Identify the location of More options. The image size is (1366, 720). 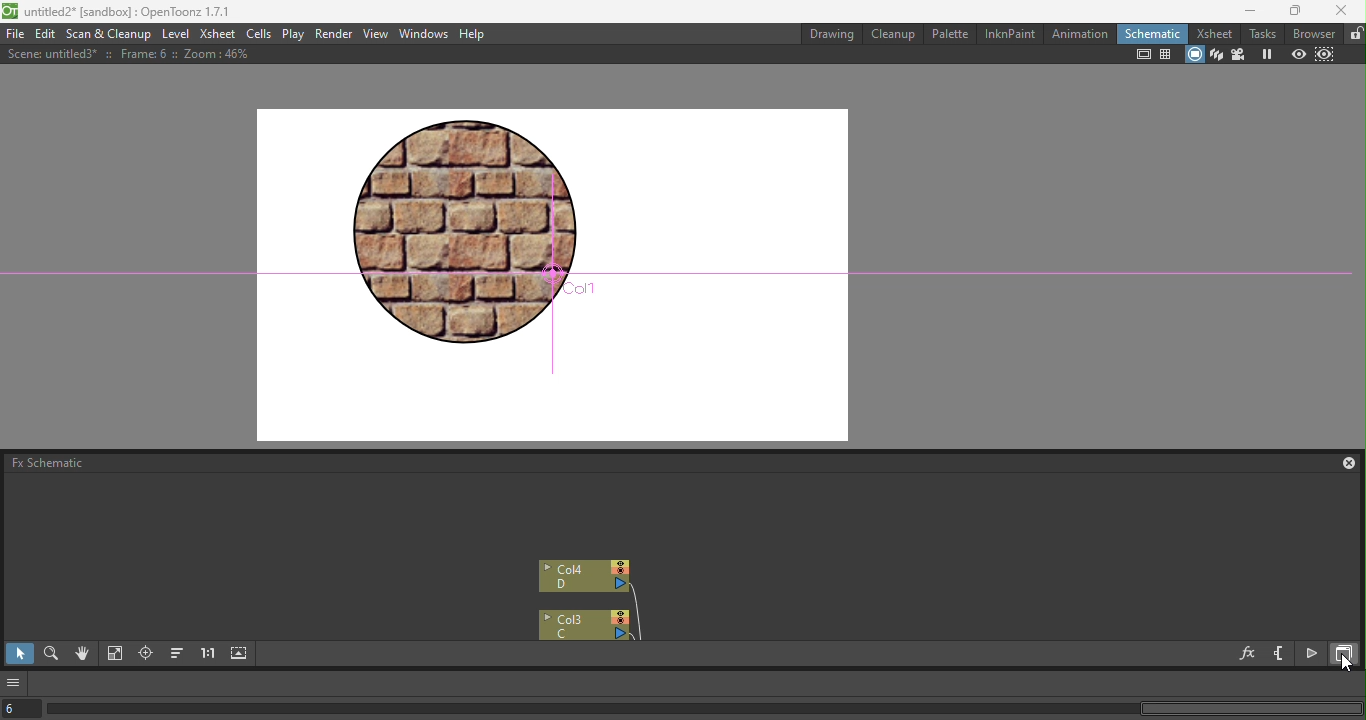
(15, 683).